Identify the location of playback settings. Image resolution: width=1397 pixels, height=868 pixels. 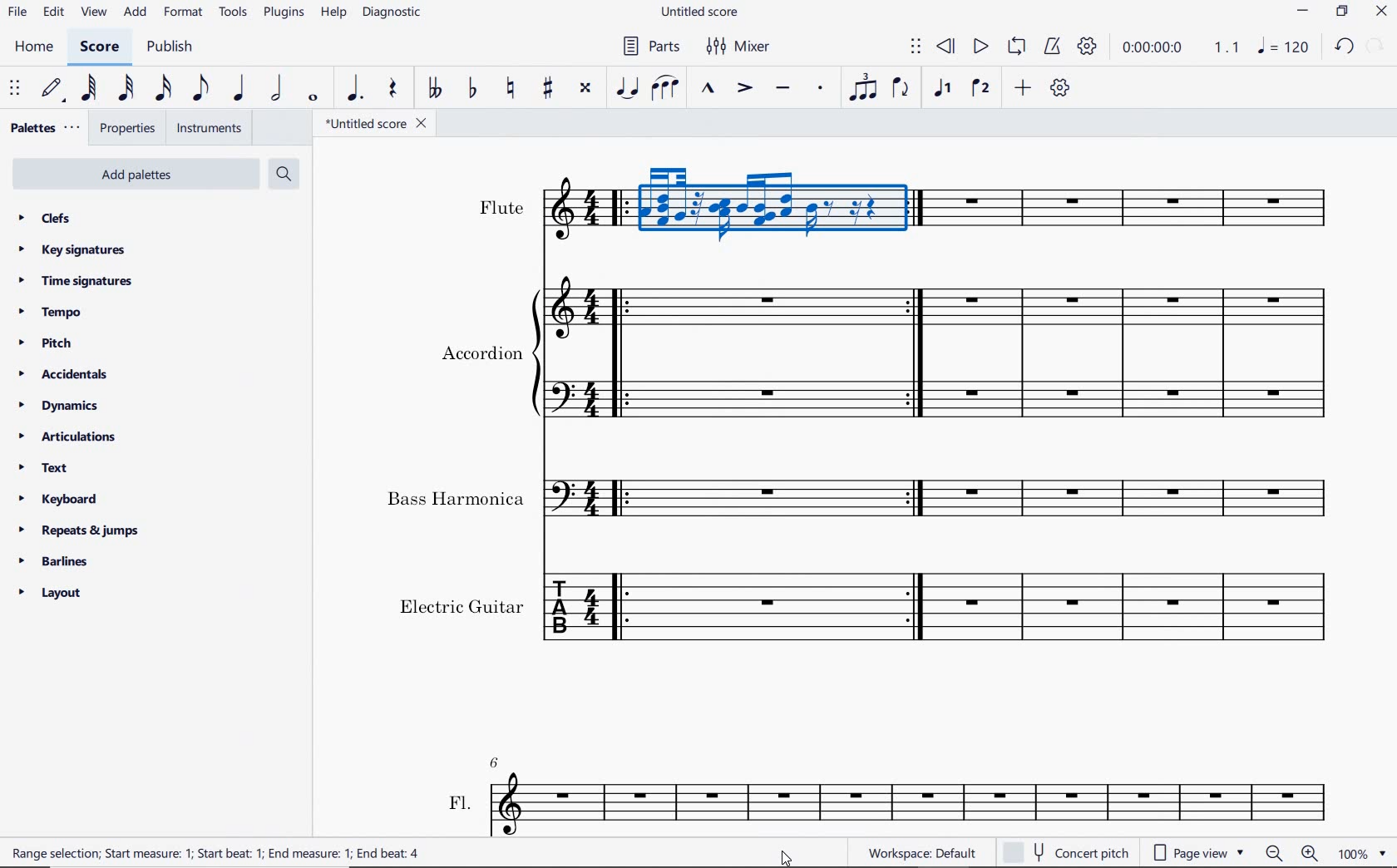
(1087, 45).